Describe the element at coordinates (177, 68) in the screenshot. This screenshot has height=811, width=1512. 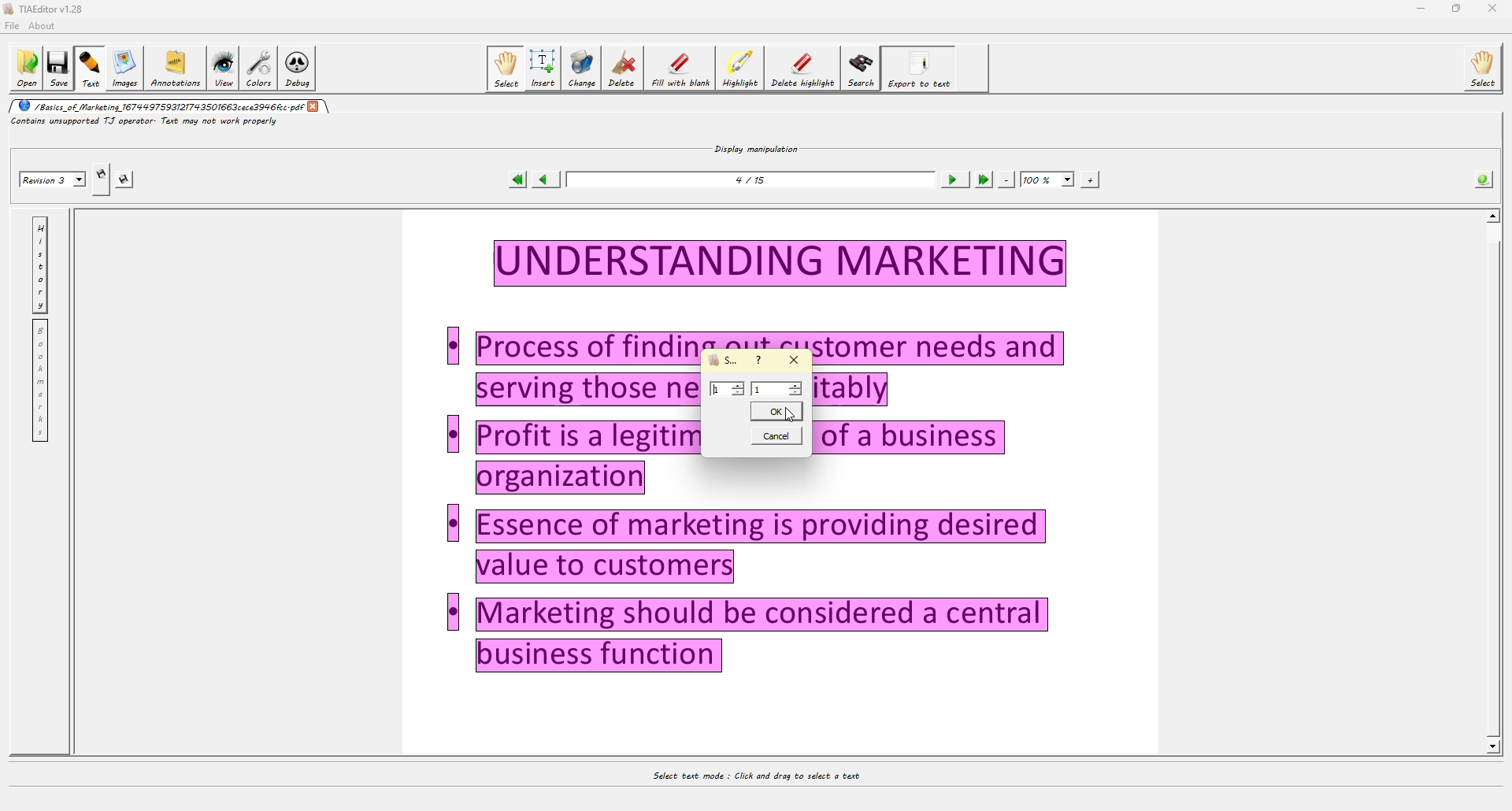
I see `annotations` at that location.